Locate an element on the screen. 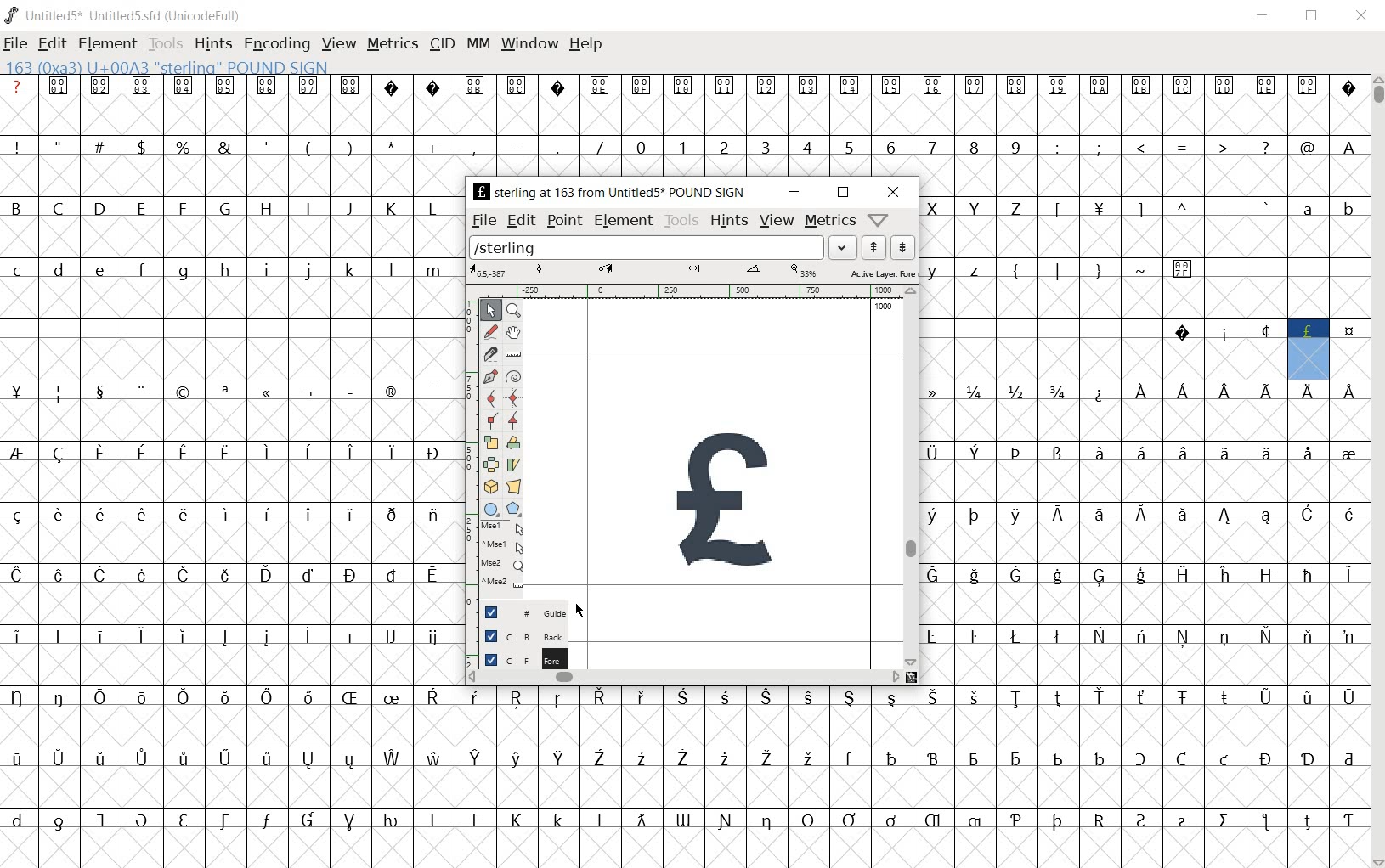  Symbol is located at coordinates (1099, 578).